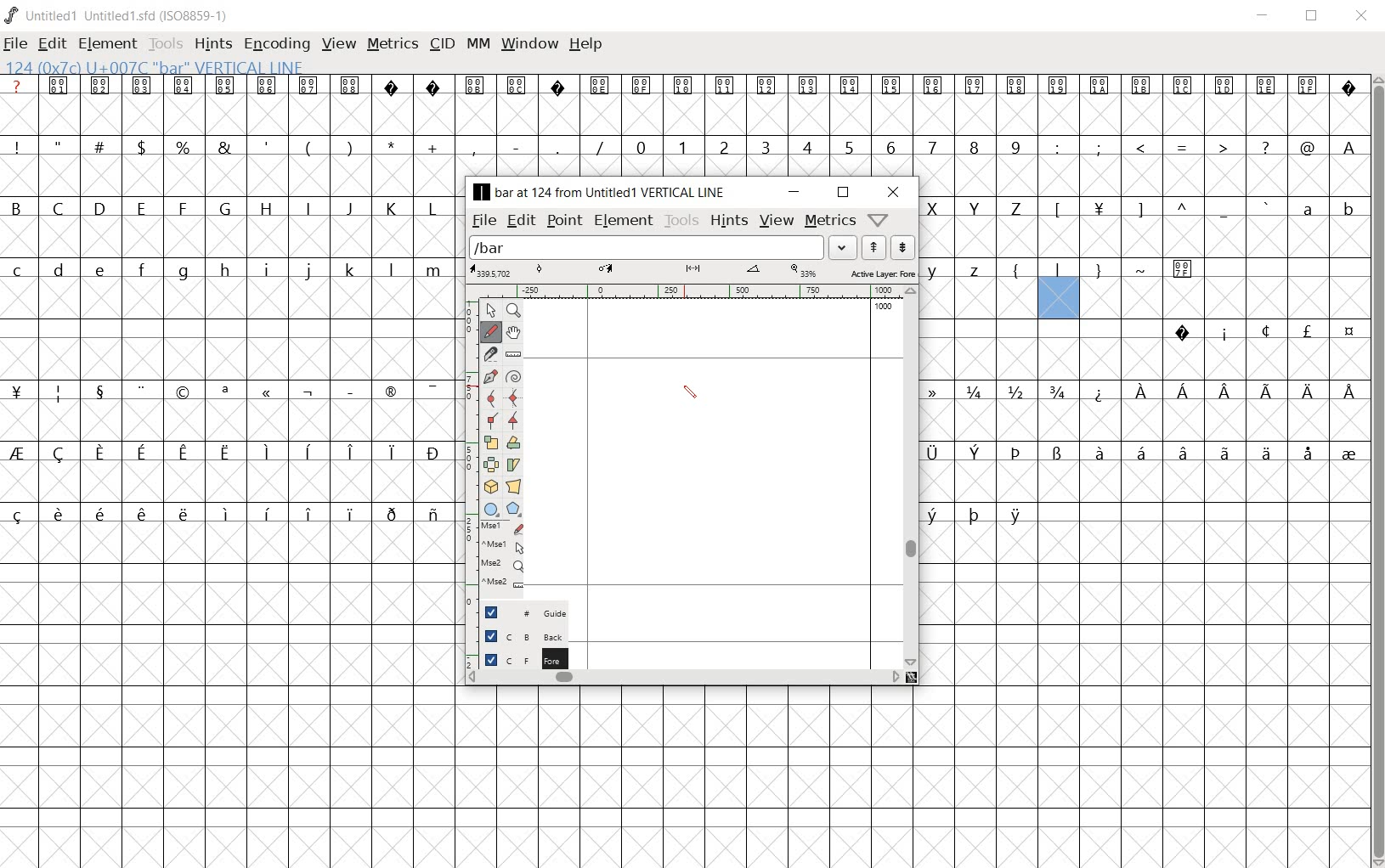  Describe the element at coordinates (229, 391) in the screenshot. I see `special symbols and nymbers` at that location.